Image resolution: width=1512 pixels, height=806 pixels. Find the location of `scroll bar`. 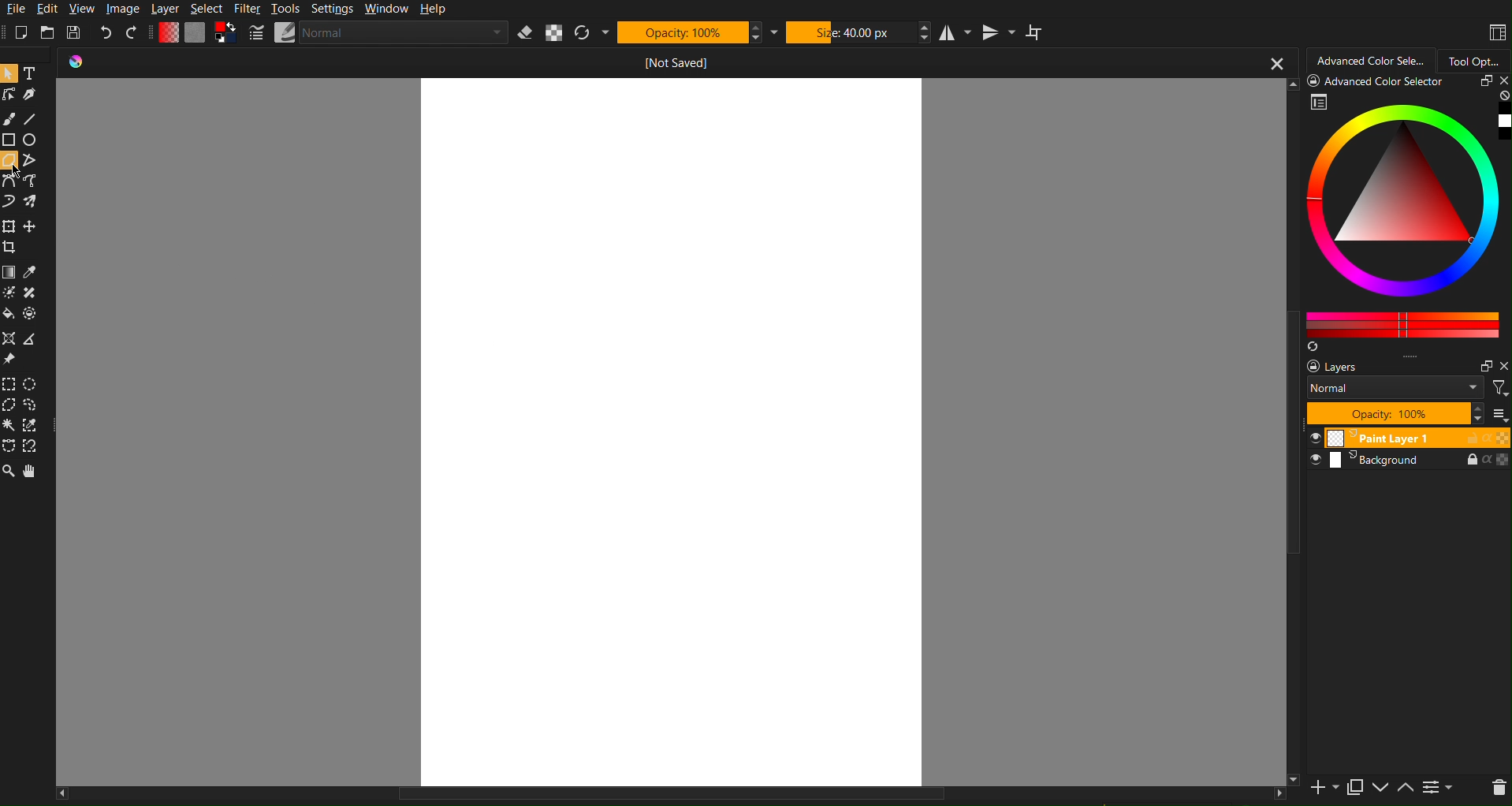

scroll bar is located at coordinates (1291, 430).